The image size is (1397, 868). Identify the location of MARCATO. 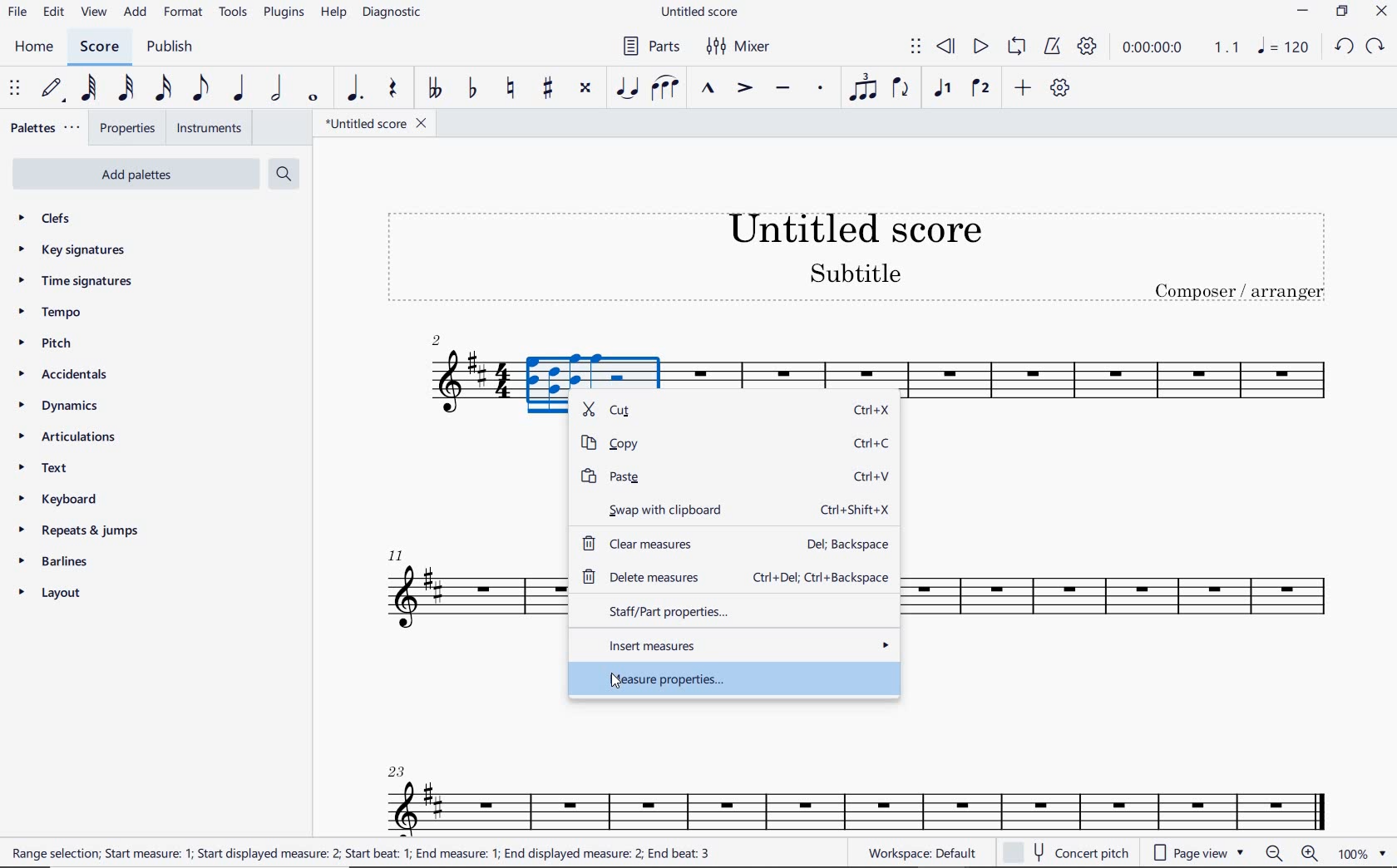
(706, 90).